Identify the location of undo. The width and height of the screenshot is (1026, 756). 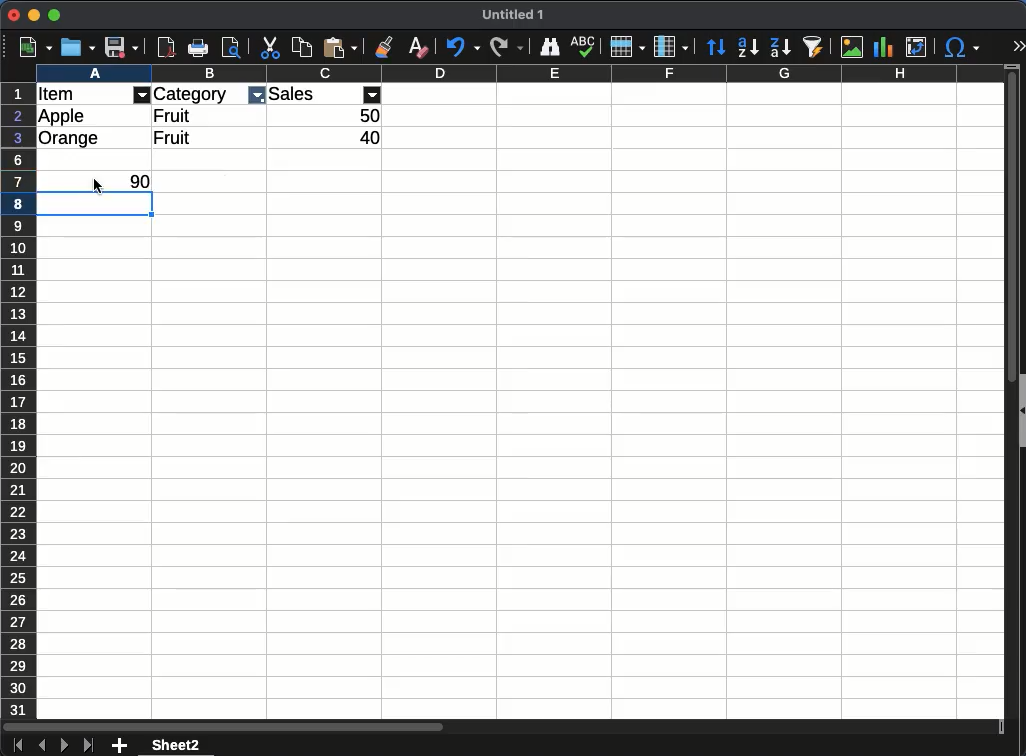
(462, 48).